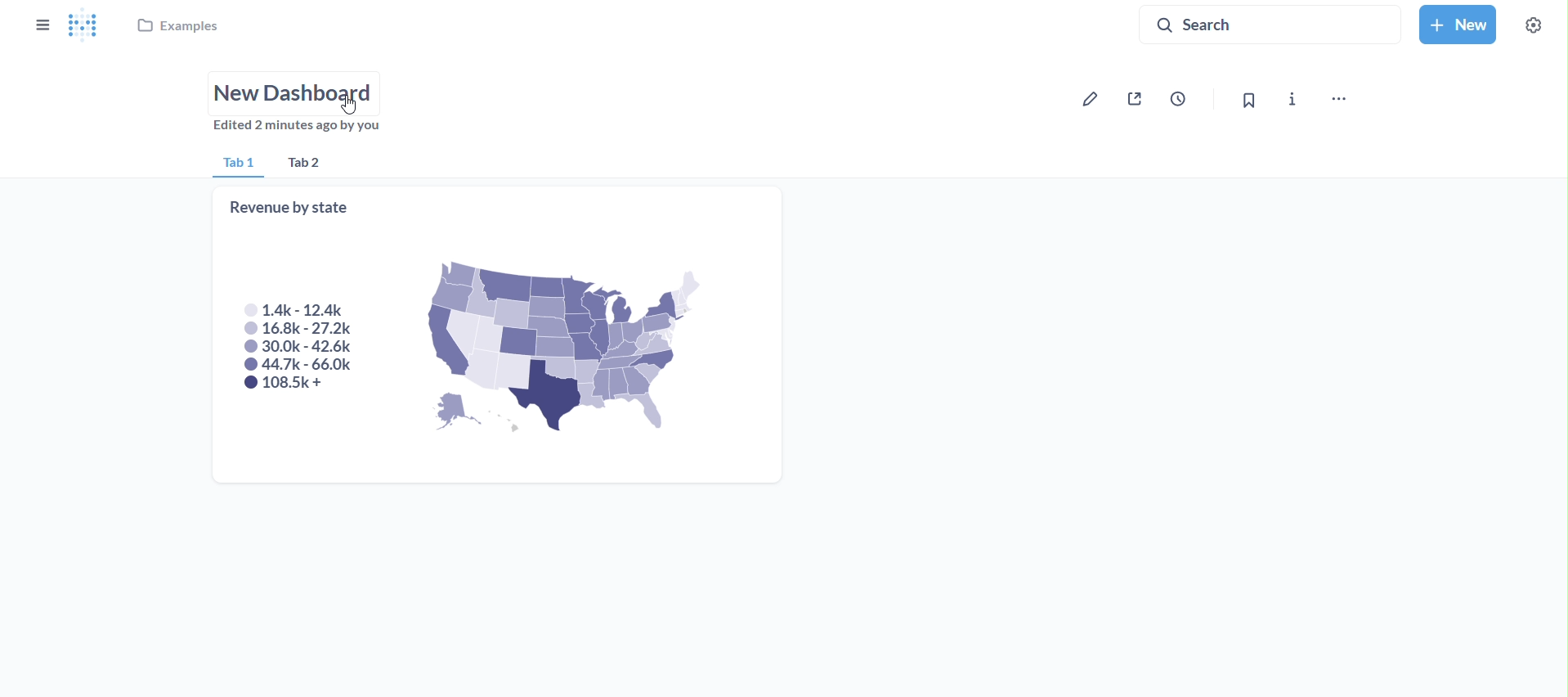 The image size is (1568, 697). I want to click on sharing, so click(1139, 99).